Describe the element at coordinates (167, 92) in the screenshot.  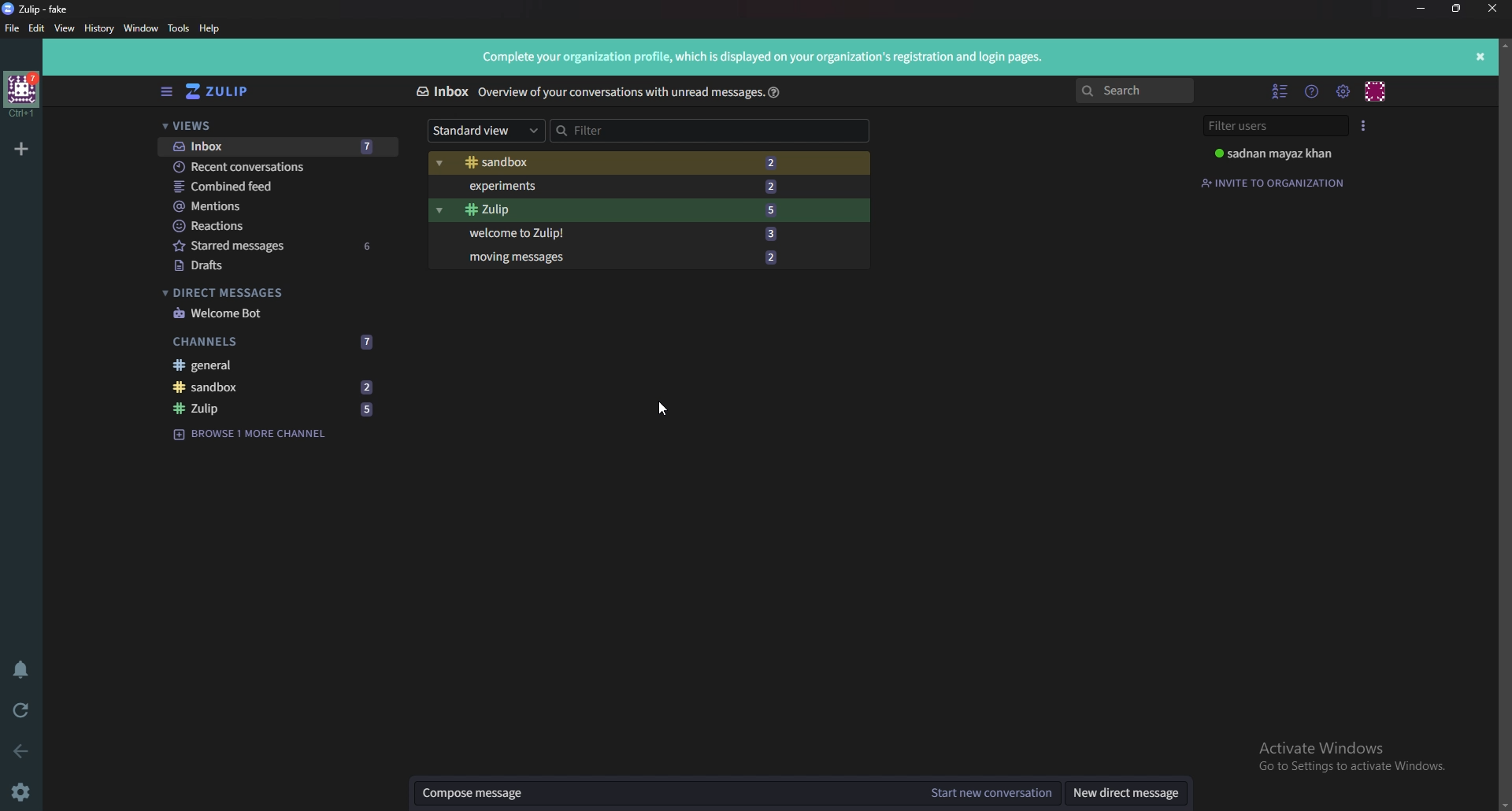
I see `Hide side bar` at that location.